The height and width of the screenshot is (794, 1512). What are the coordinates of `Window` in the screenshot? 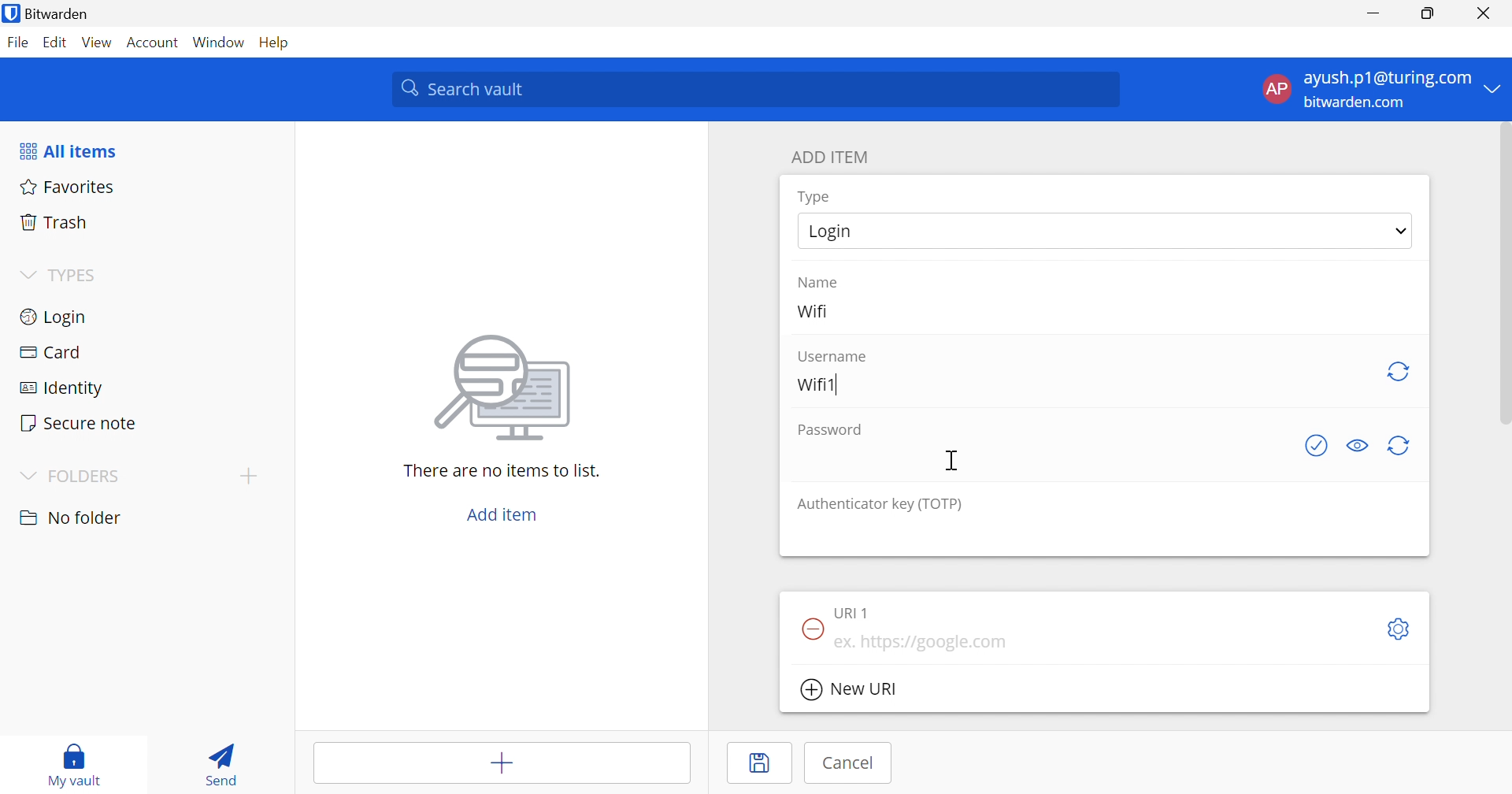 It's located at (220, 43).